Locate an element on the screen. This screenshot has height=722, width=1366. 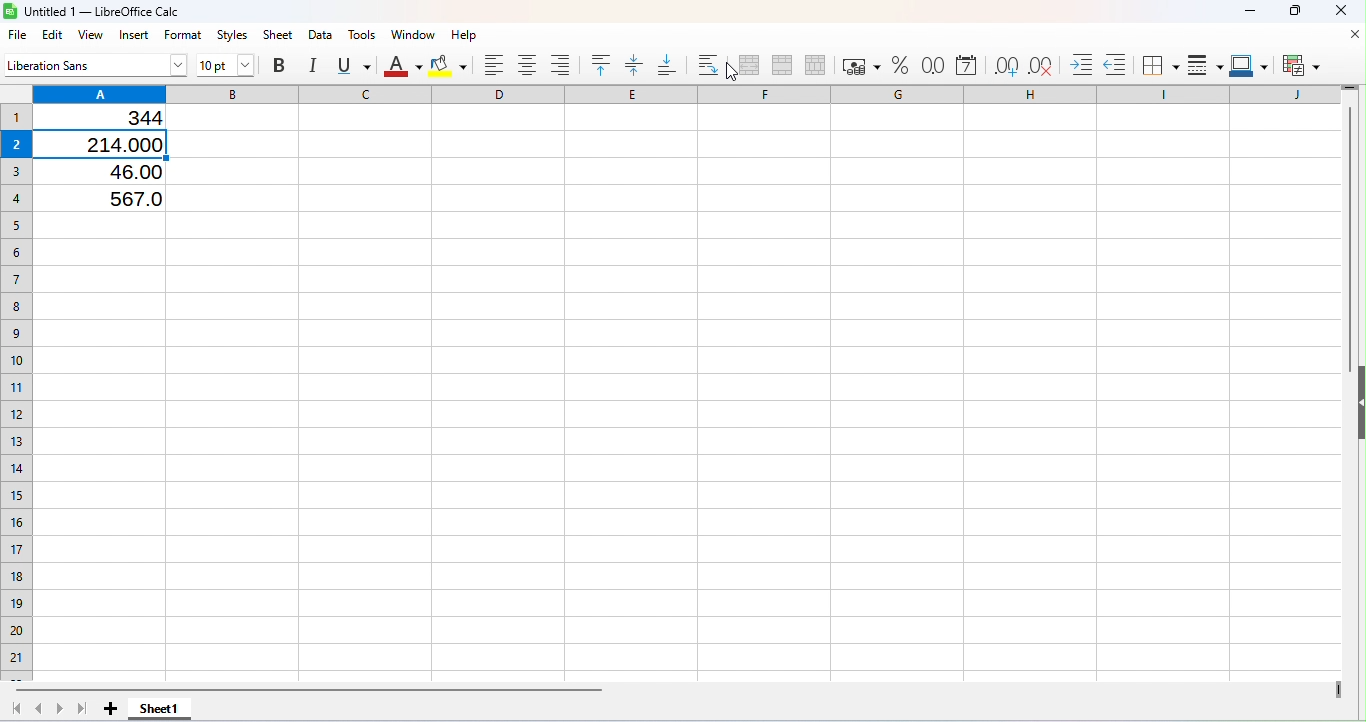
Cursor is located at coordinates (729, 70).